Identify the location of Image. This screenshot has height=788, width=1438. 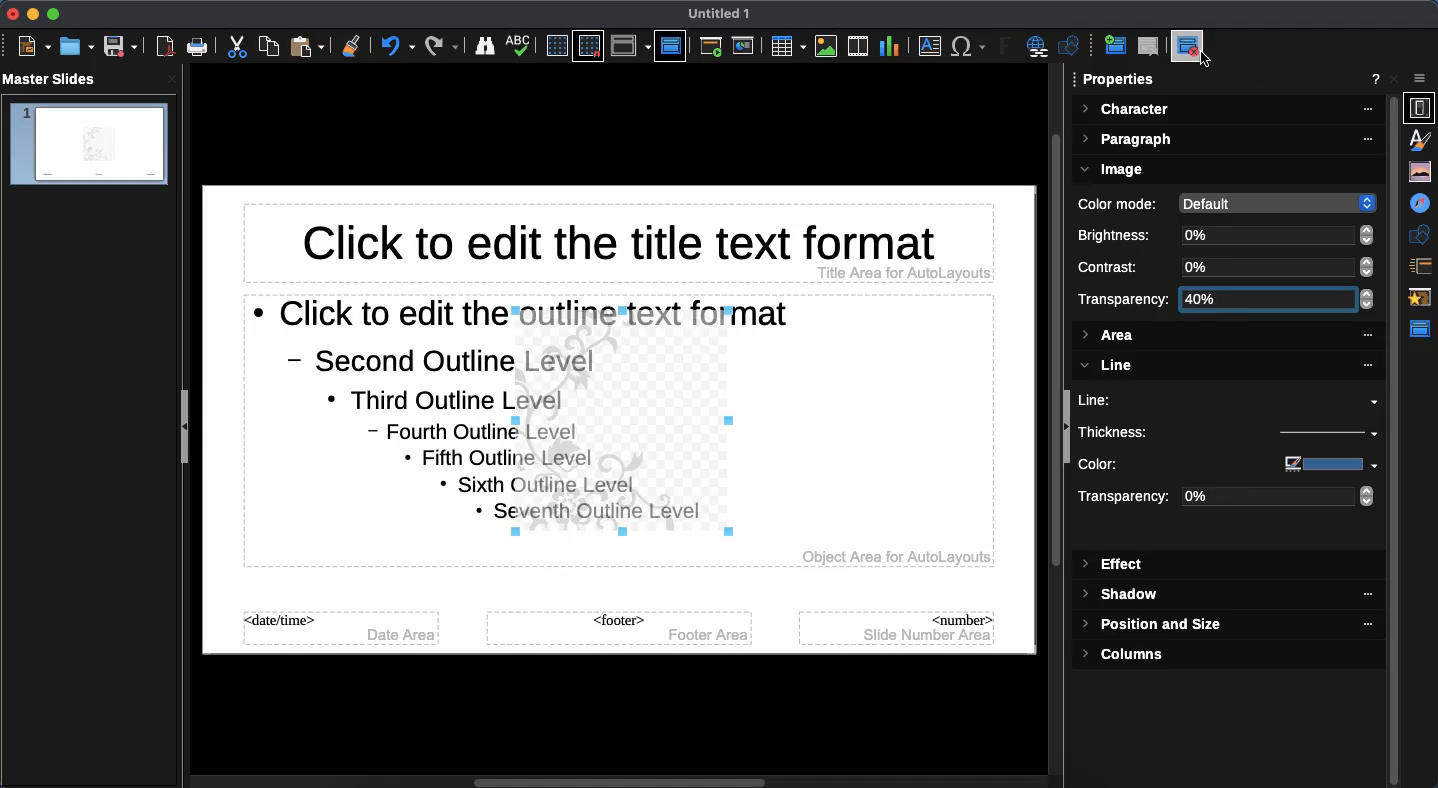
(1116, 170).